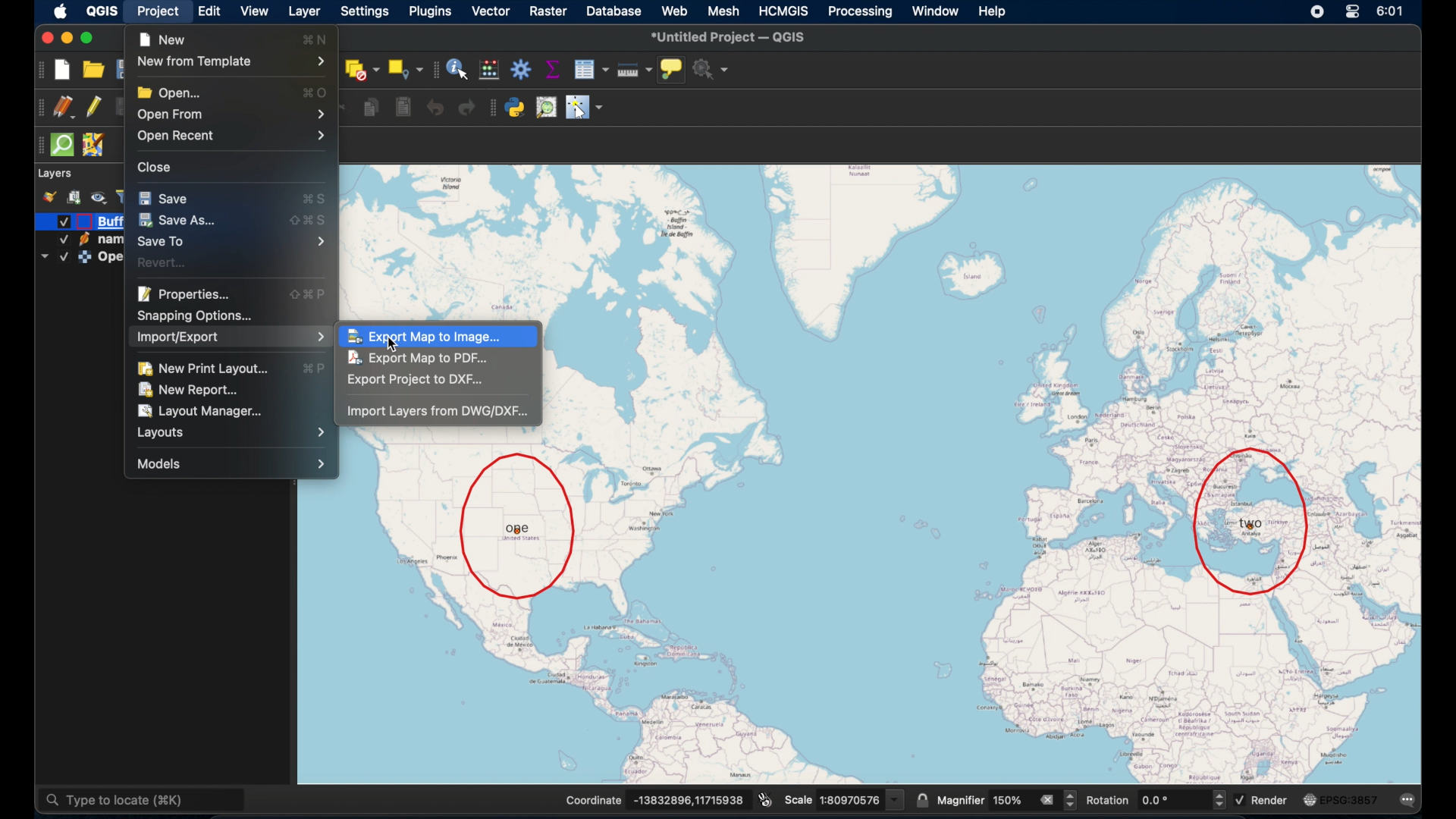  I want to click on drag handle, so click(436, 69).